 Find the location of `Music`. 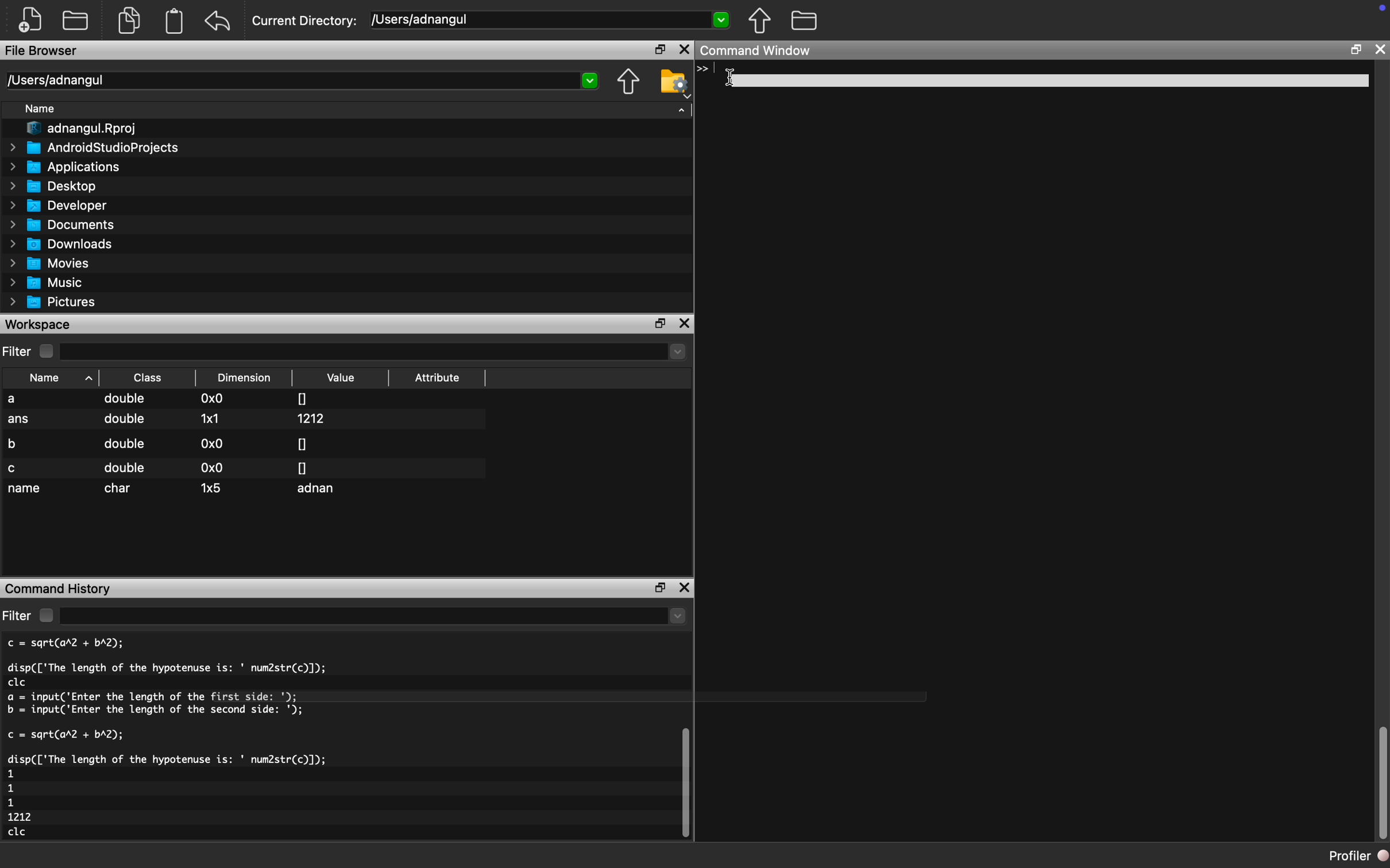

Music is located at coordinates (53, 283).